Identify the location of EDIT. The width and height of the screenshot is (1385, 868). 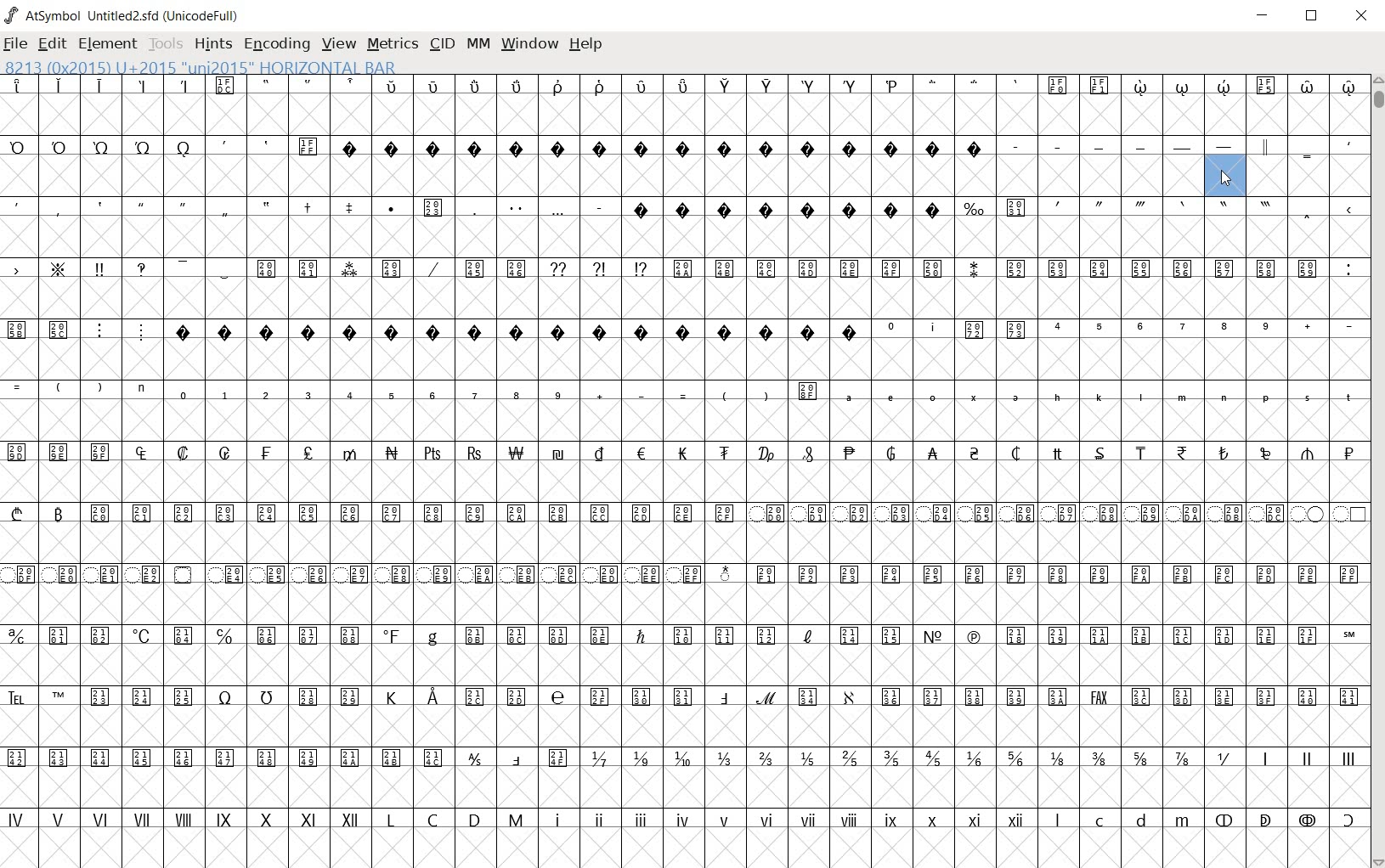
(52, 43).